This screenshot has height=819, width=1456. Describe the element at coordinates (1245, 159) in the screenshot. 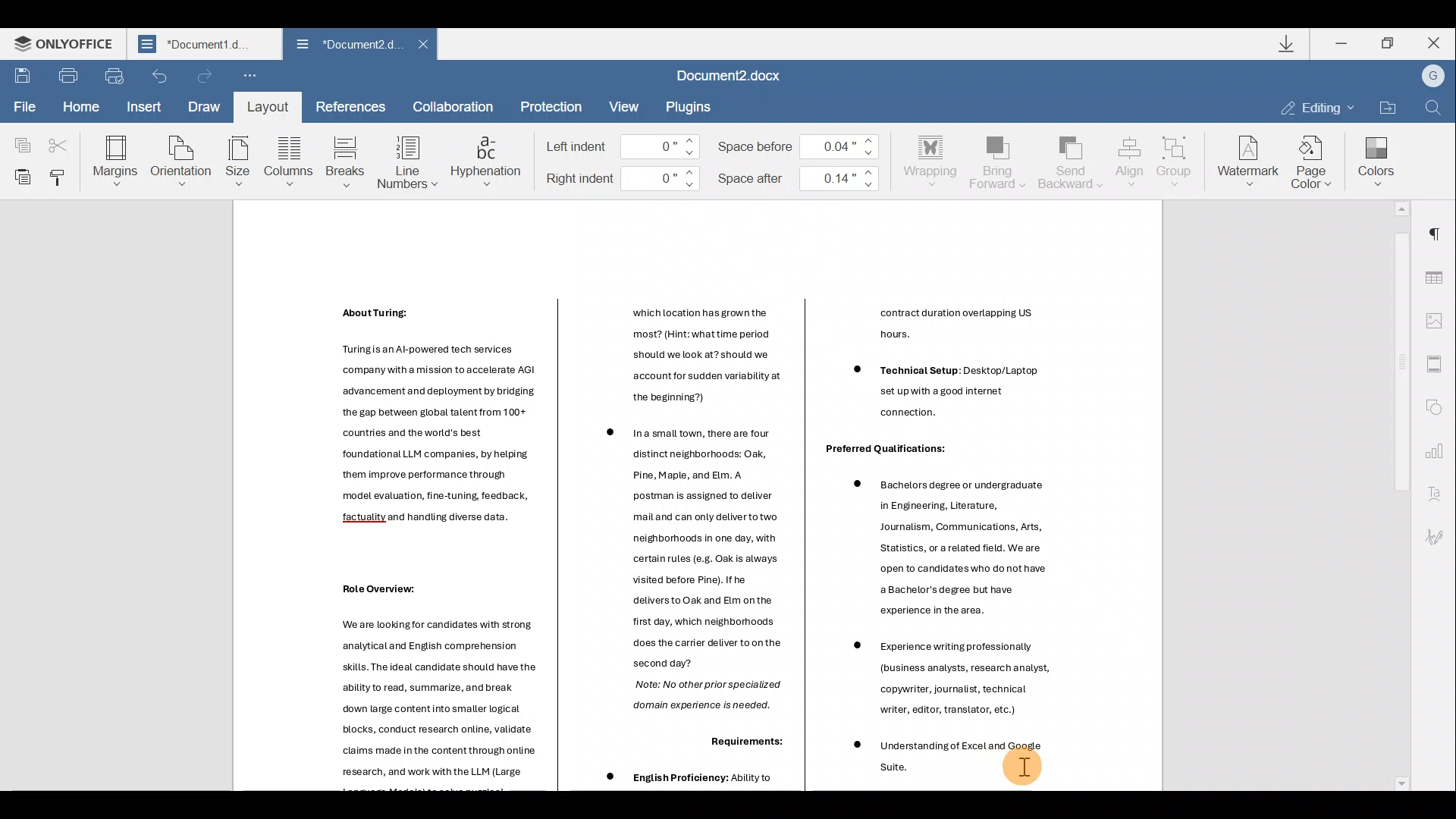

I see `Watermark` at that location.